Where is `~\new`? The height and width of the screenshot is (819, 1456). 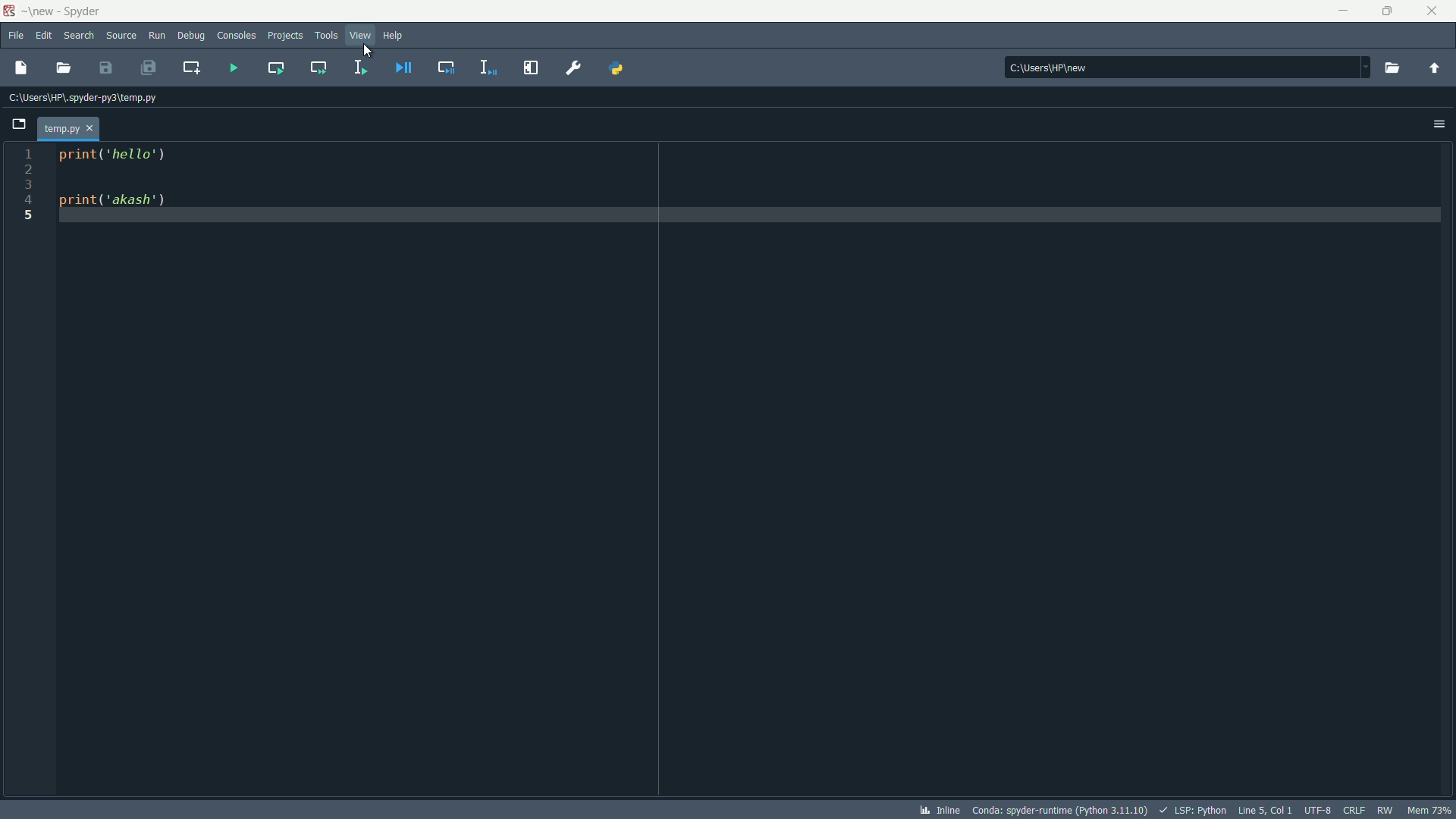 ~\new is located at coordinates (42, 13).